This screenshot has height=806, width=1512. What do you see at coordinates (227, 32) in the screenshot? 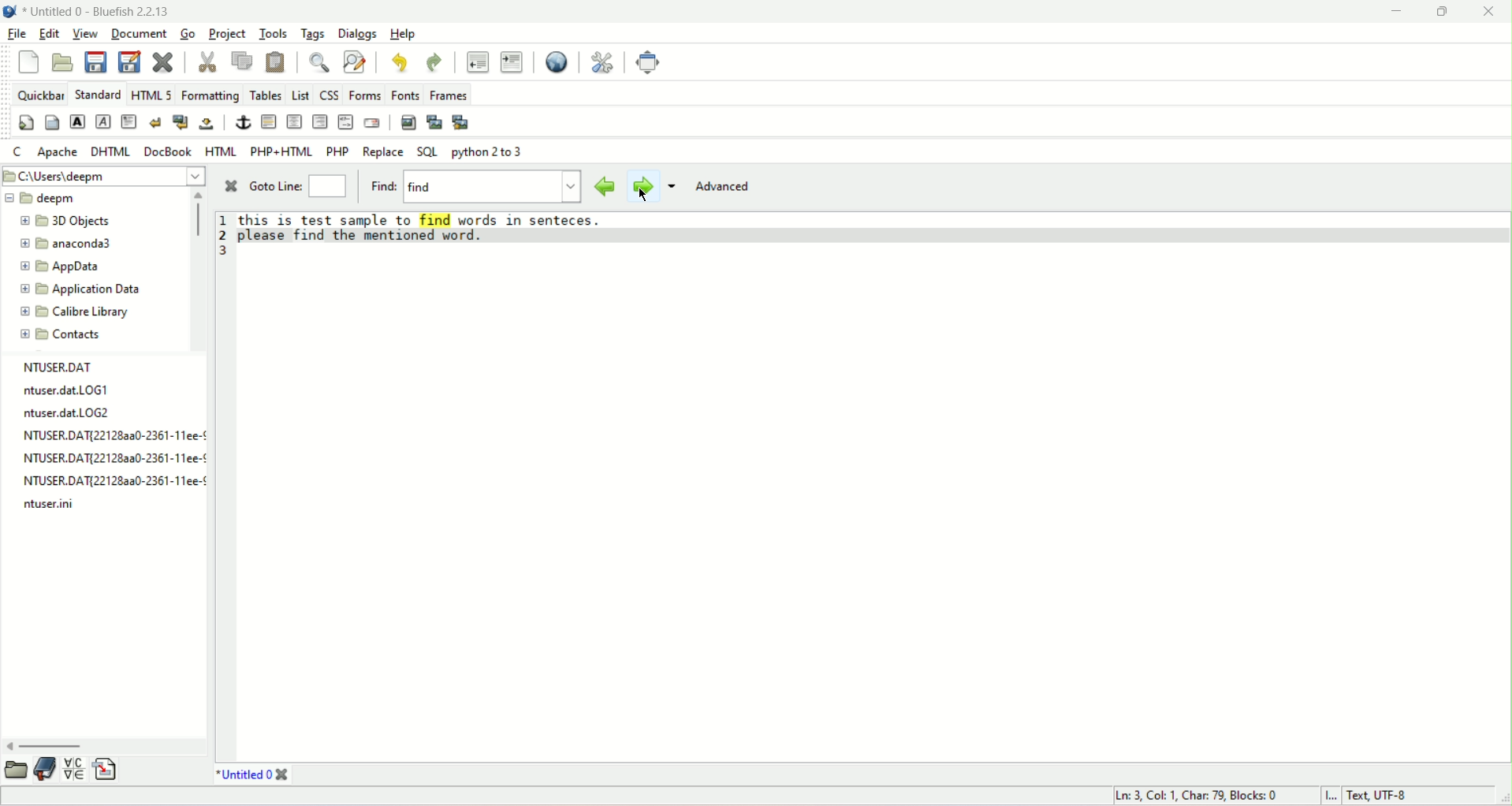
I see `project` at bounding box center [227, 32].